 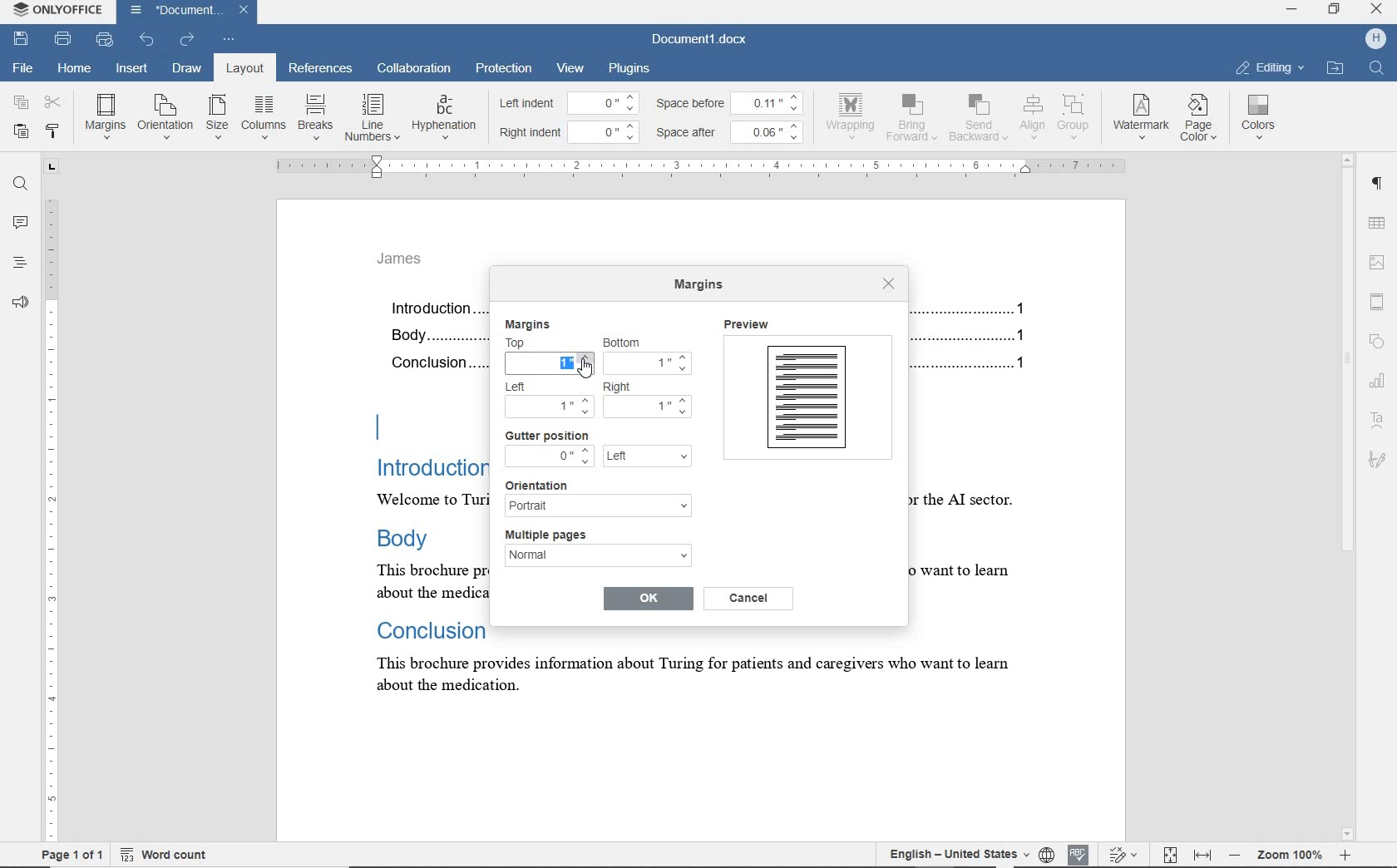 What do you see at coordinates (444, 118) in the screenshot?
I see `hyphenation` at bounding box center [444, 118].